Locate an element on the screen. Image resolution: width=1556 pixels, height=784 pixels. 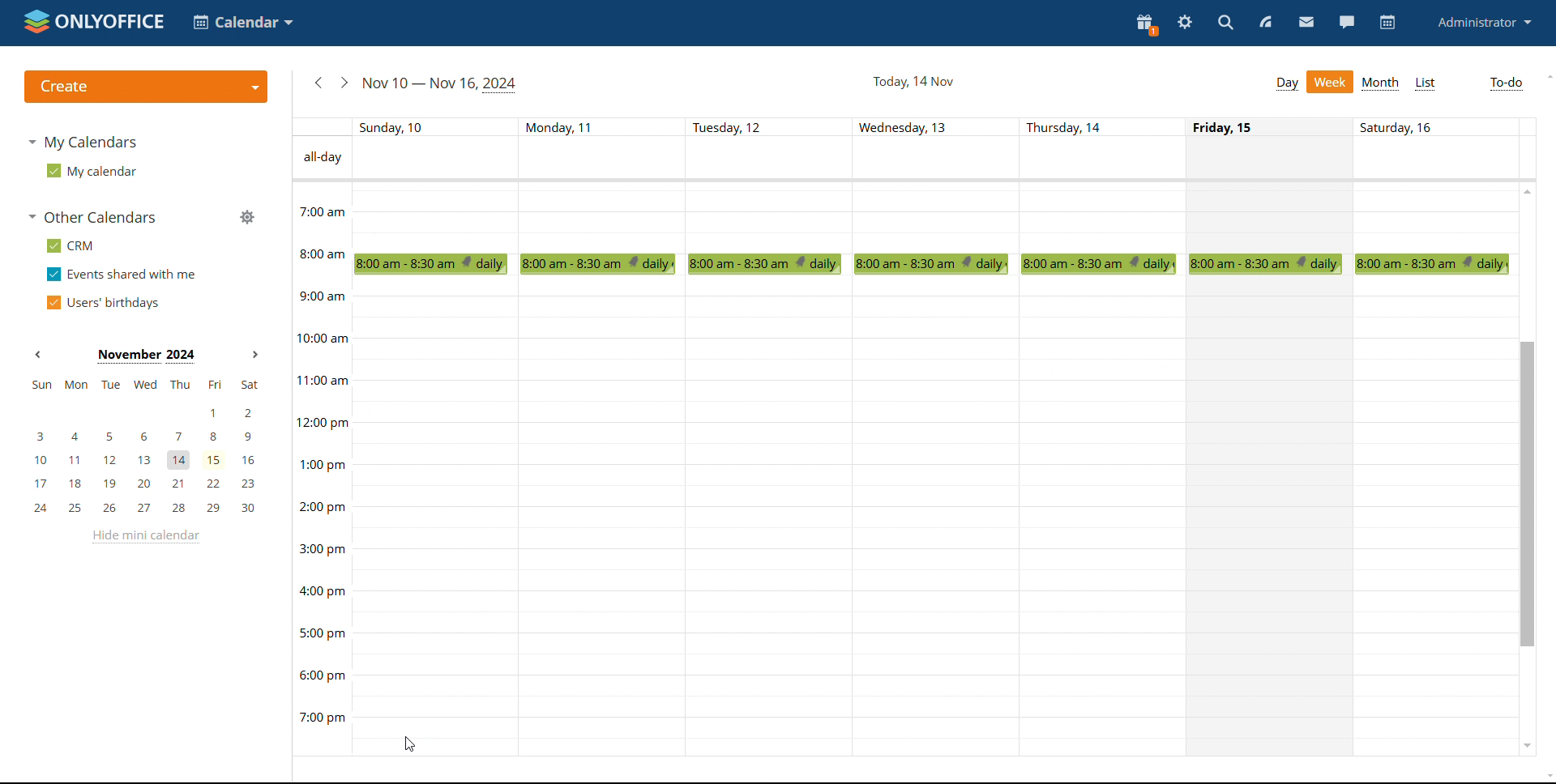
settings is located at coordinates (1186, 23).